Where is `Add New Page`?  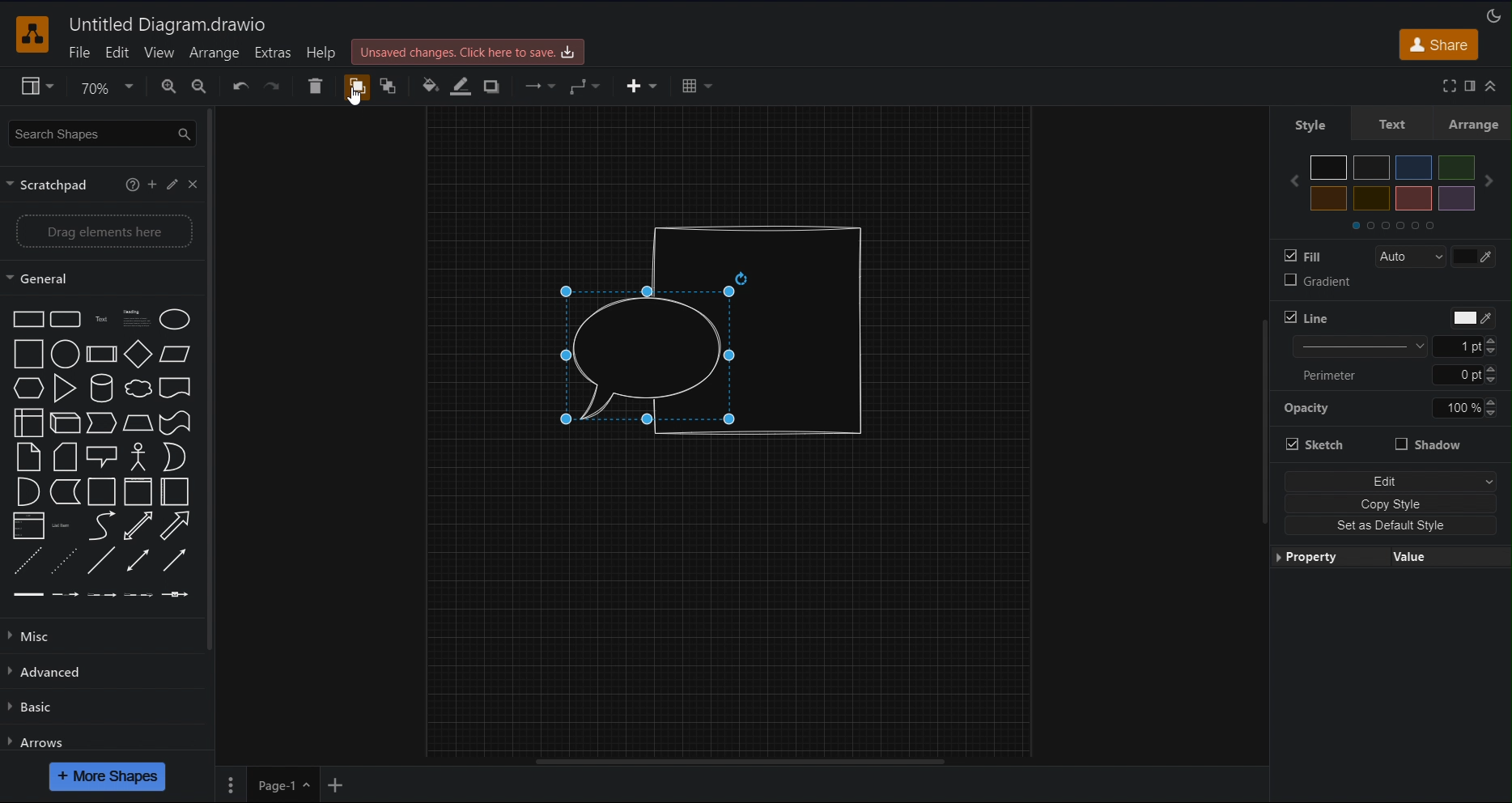 Add New Page is located at coordinates (336, 785).